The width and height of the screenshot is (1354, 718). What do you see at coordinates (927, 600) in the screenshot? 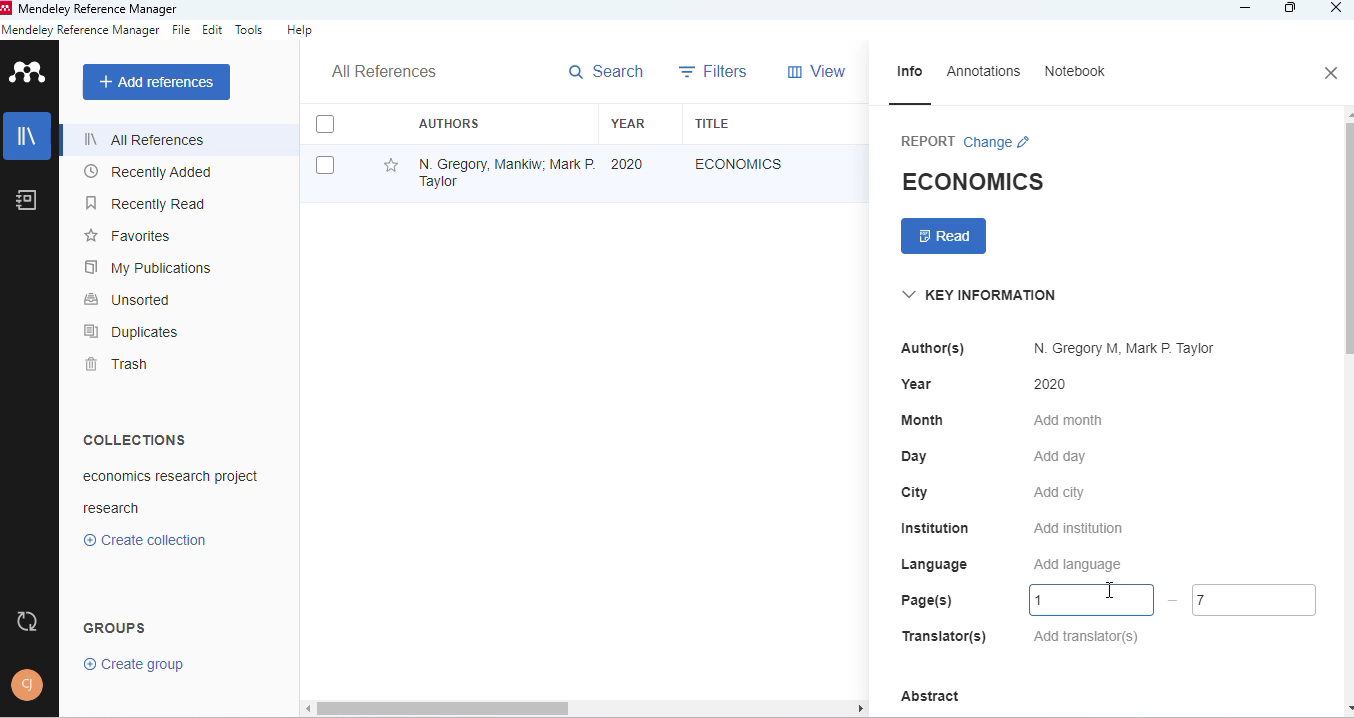
I see `page(s)` at bounding box center [927, 600].